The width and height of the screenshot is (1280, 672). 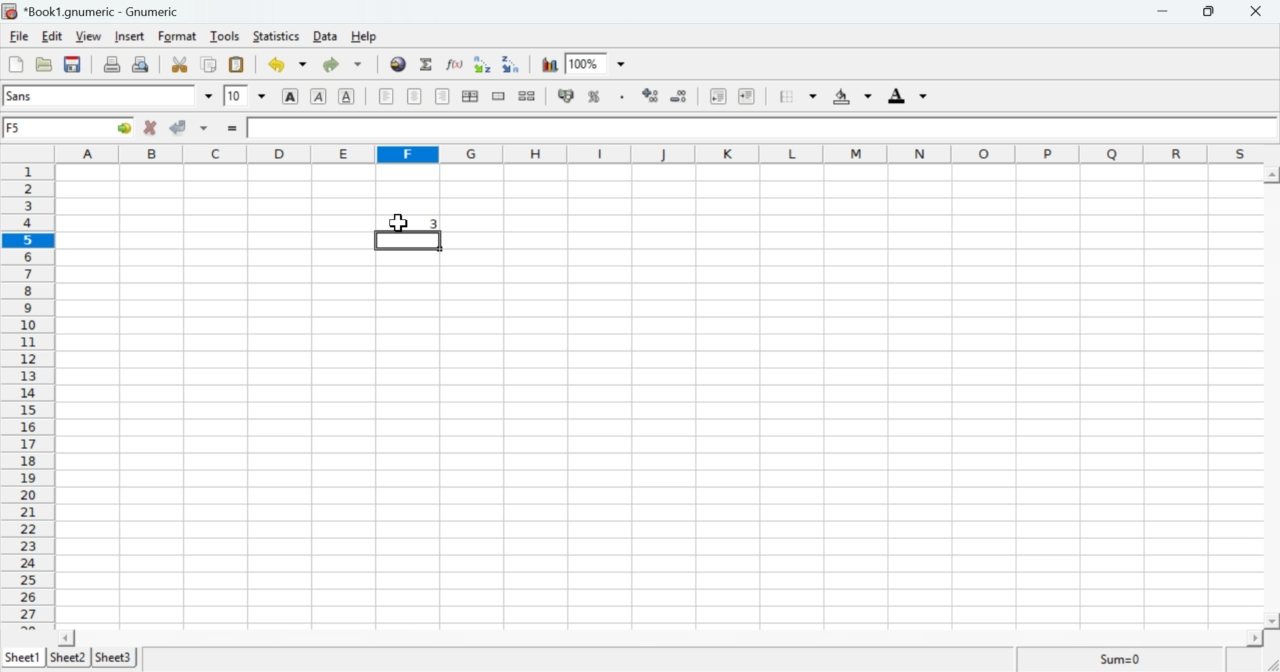 What do you see at coordinates (1273, 398) in the screenshot?
I see `scroll bar` at bounding box center [1273, 398].